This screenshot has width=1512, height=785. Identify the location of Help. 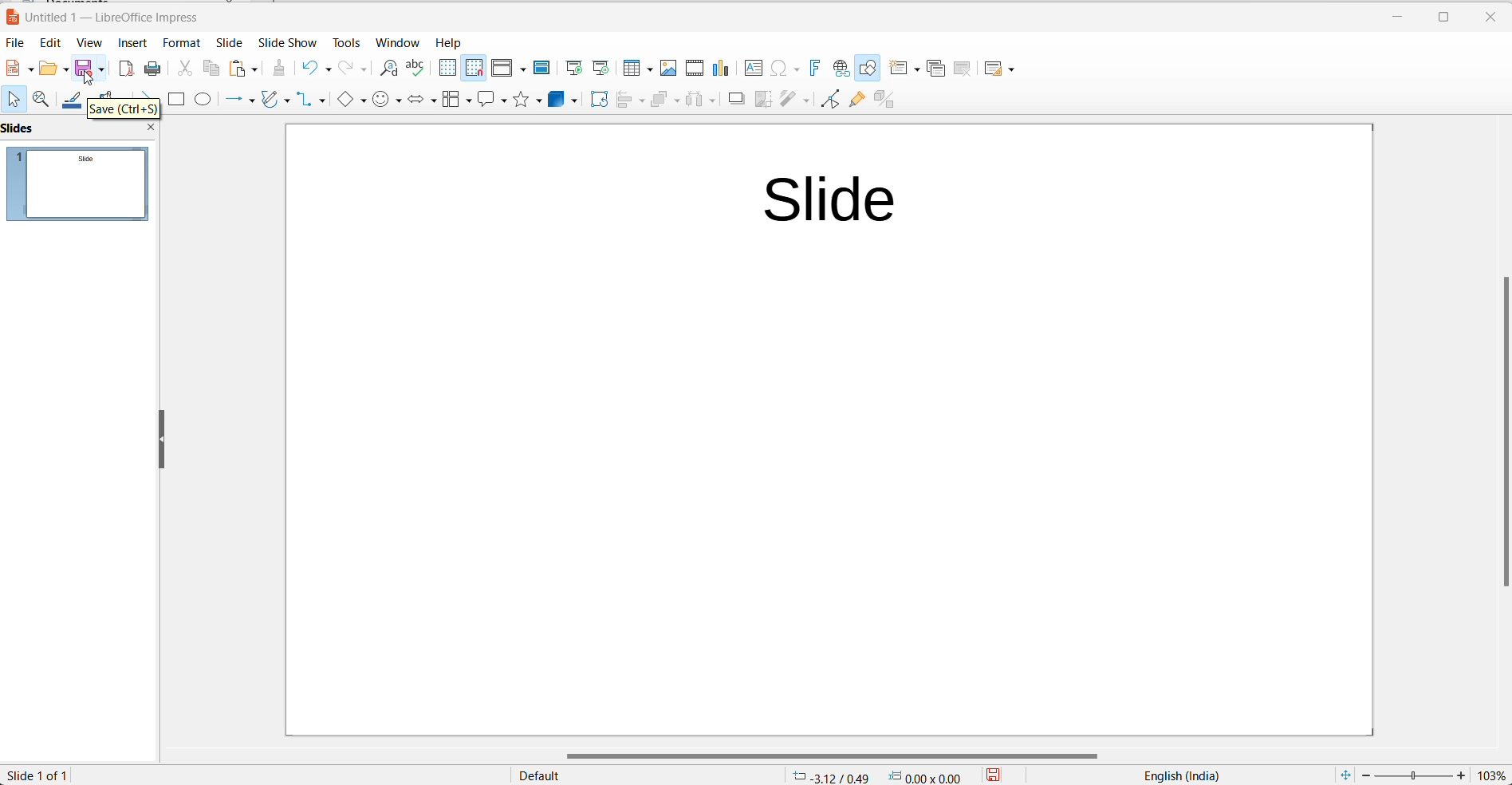
(453, 42).